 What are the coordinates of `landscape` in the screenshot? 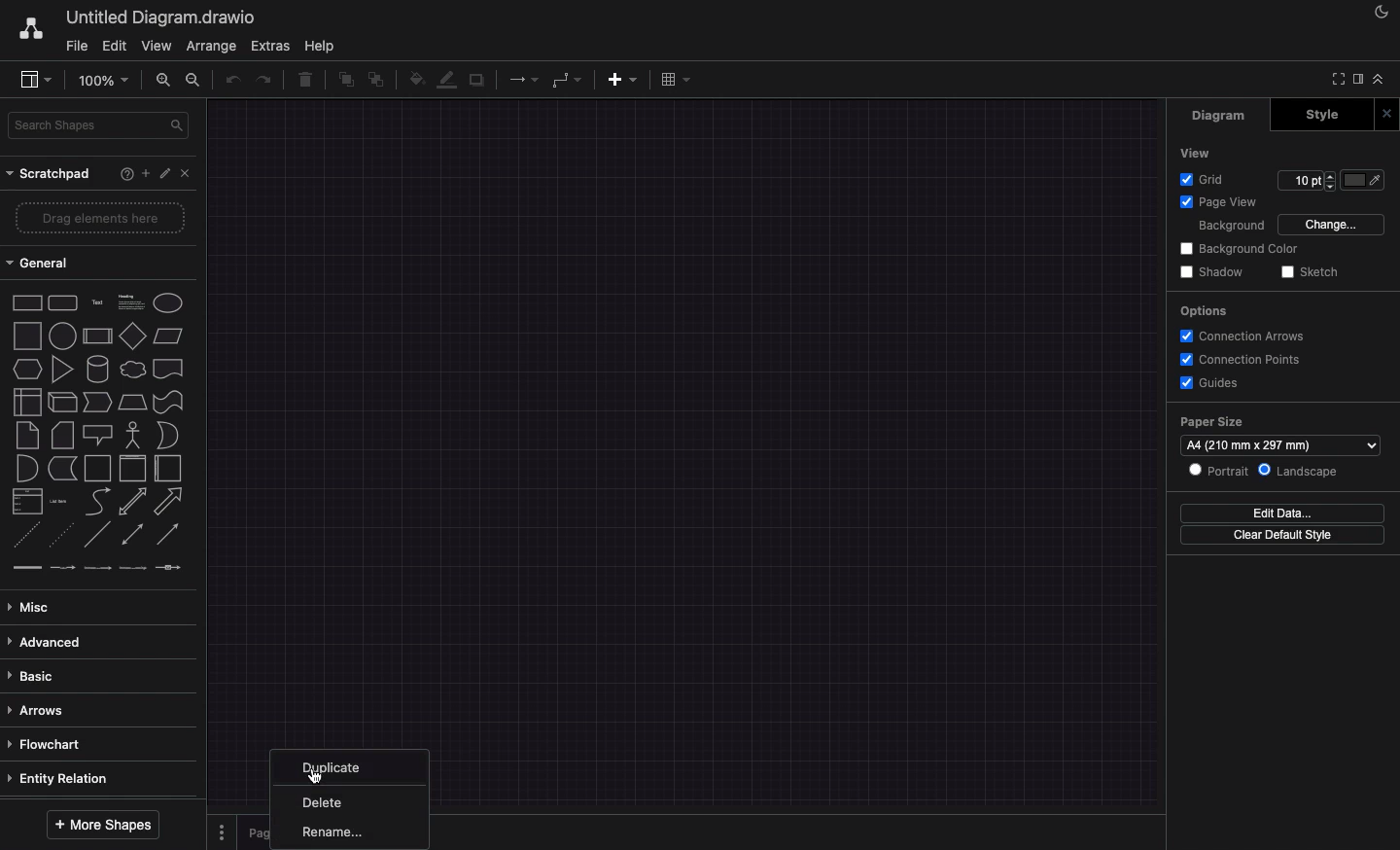 It's located at (1298, 472).